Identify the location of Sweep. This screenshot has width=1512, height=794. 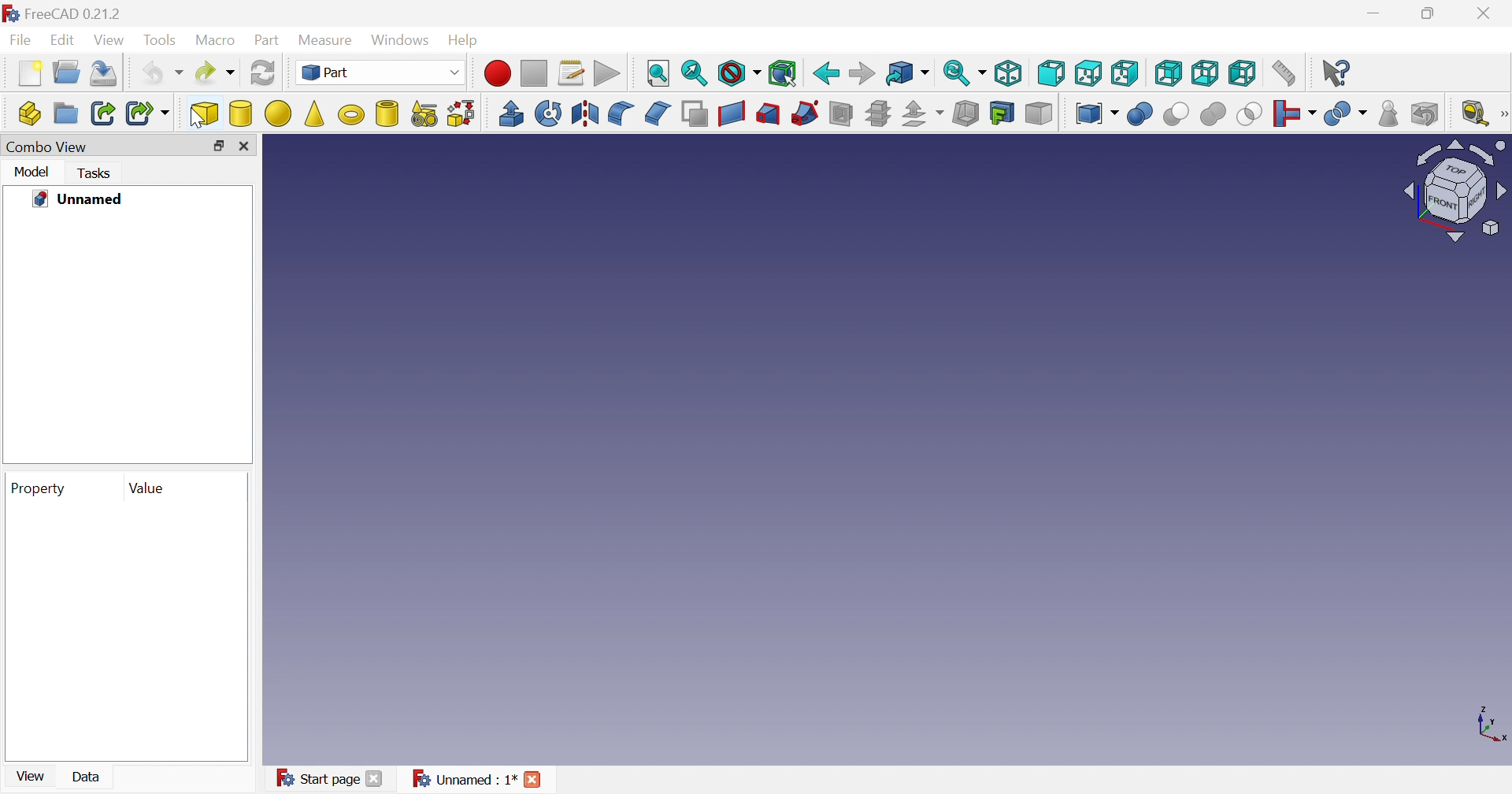
(804, 113).